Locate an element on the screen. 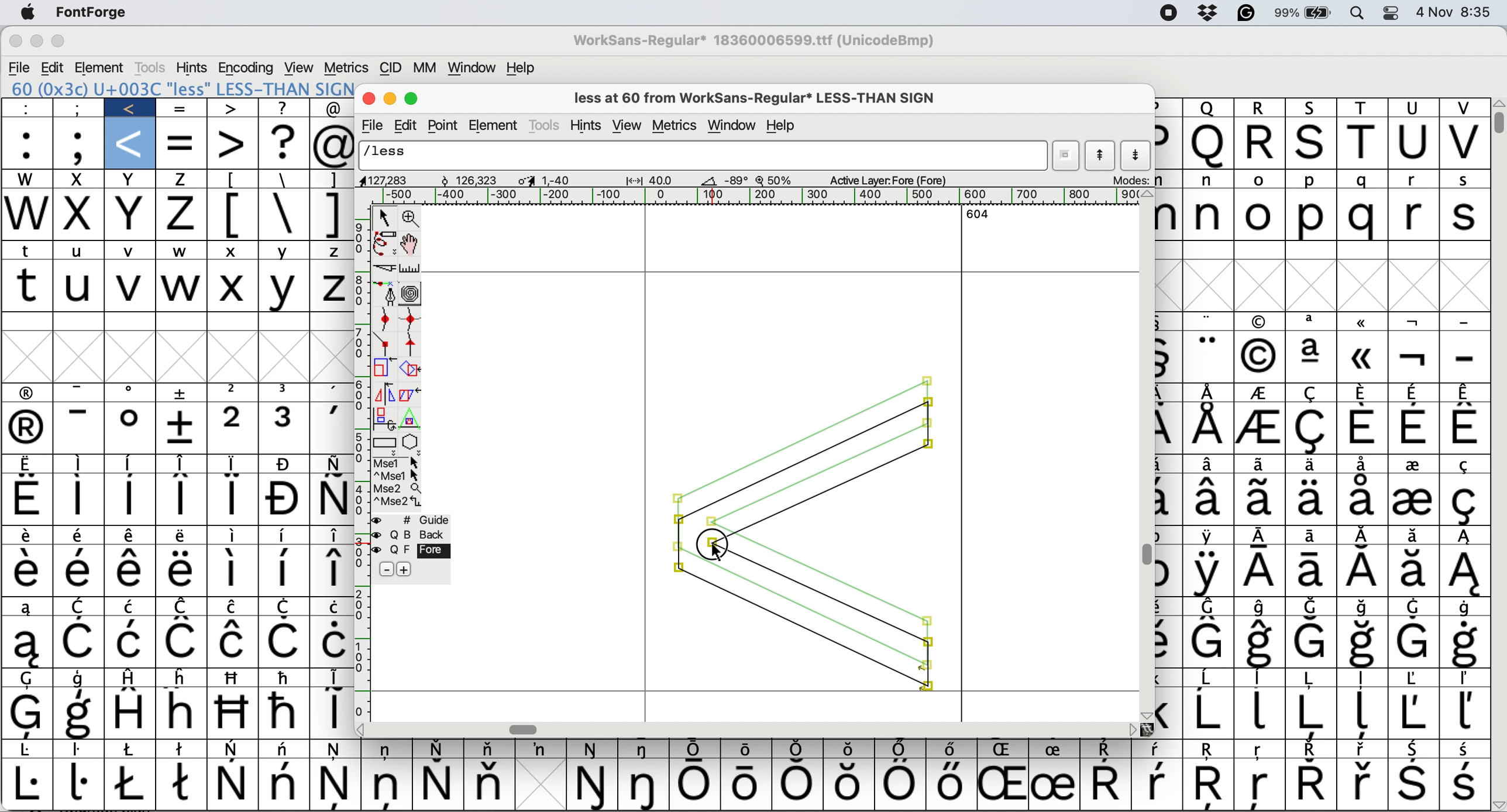  [ is located at coordinates (235, 180).